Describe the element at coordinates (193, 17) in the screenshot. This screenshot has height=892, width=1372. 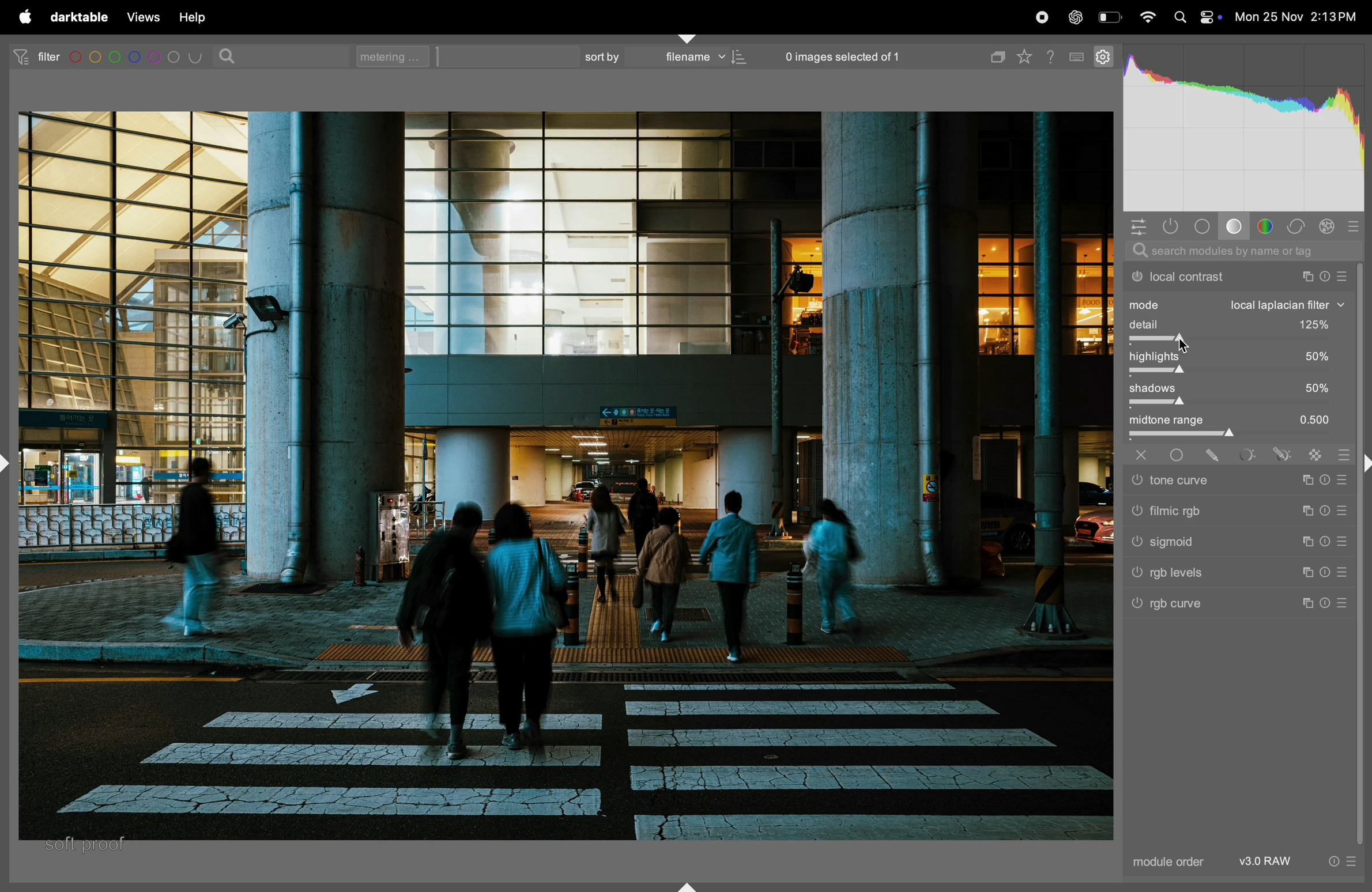
I see `help` at that location.